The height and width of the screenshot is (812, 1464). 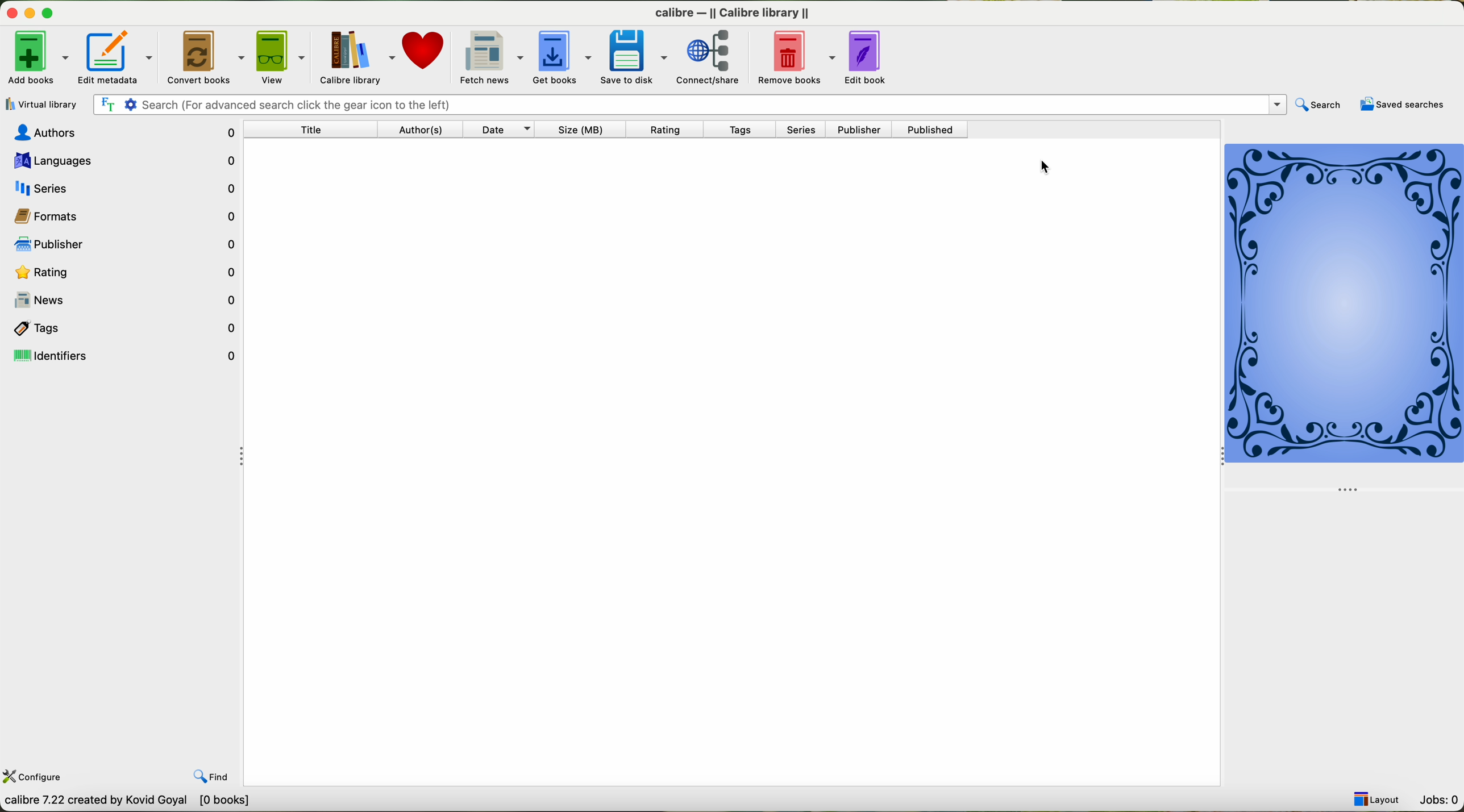 What do you see at coordinates (30, 13) in the screenshot?
I see `minimize` at bounding box center [30, 13].